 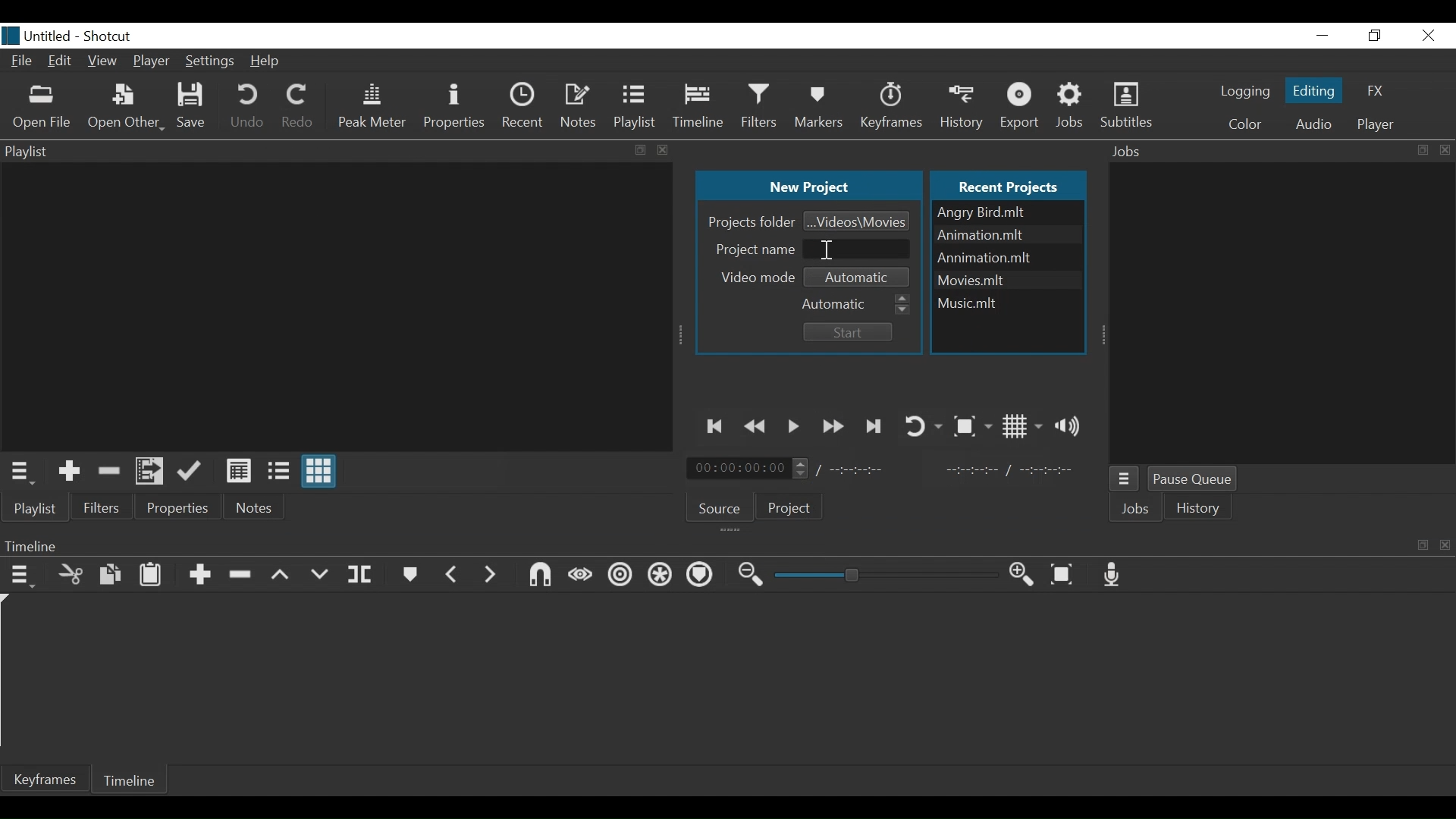 I want to click on Recent, so click(x=522, y=105).